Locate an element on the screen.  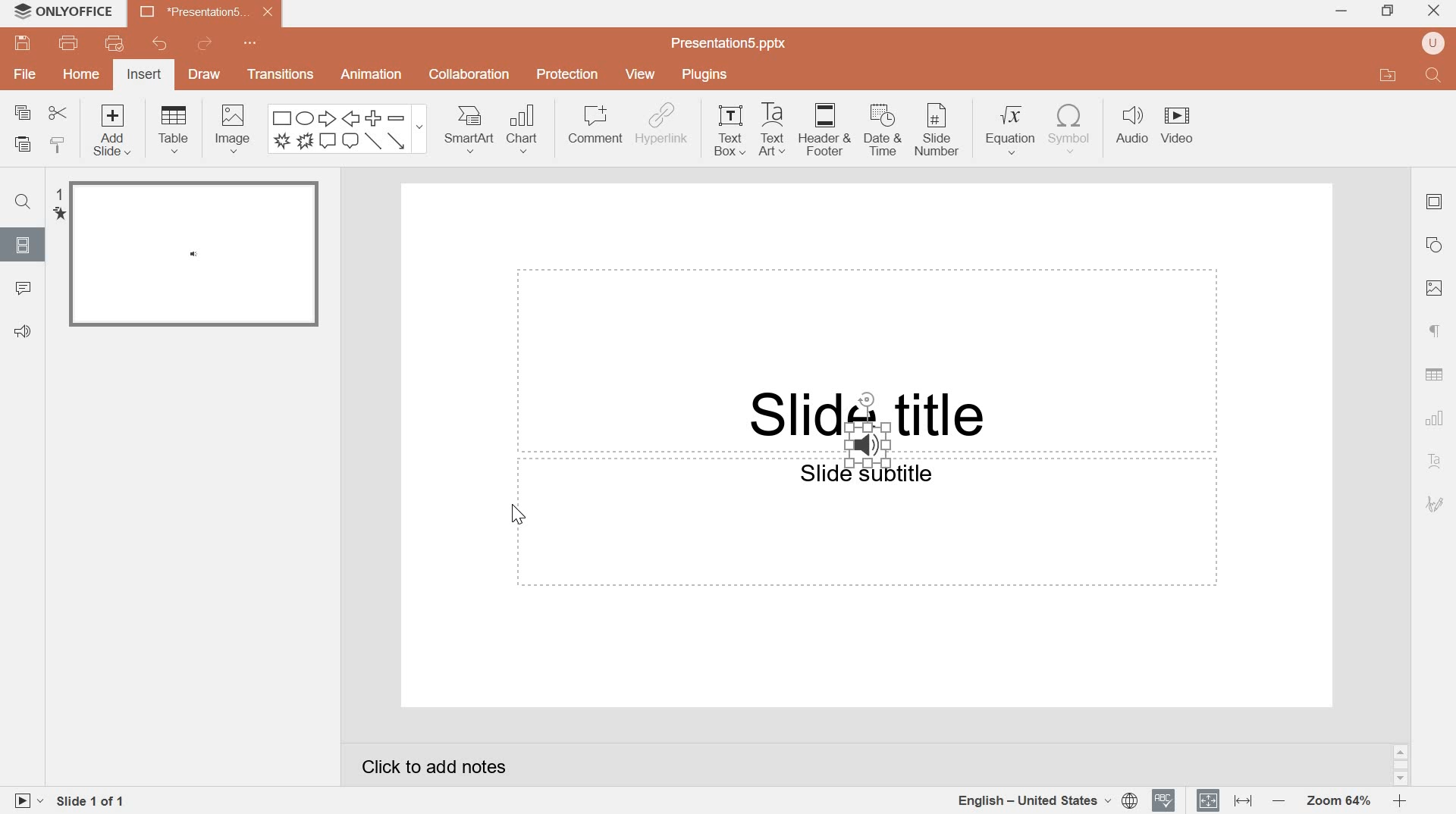
redo is located at coordinates (204, 43).